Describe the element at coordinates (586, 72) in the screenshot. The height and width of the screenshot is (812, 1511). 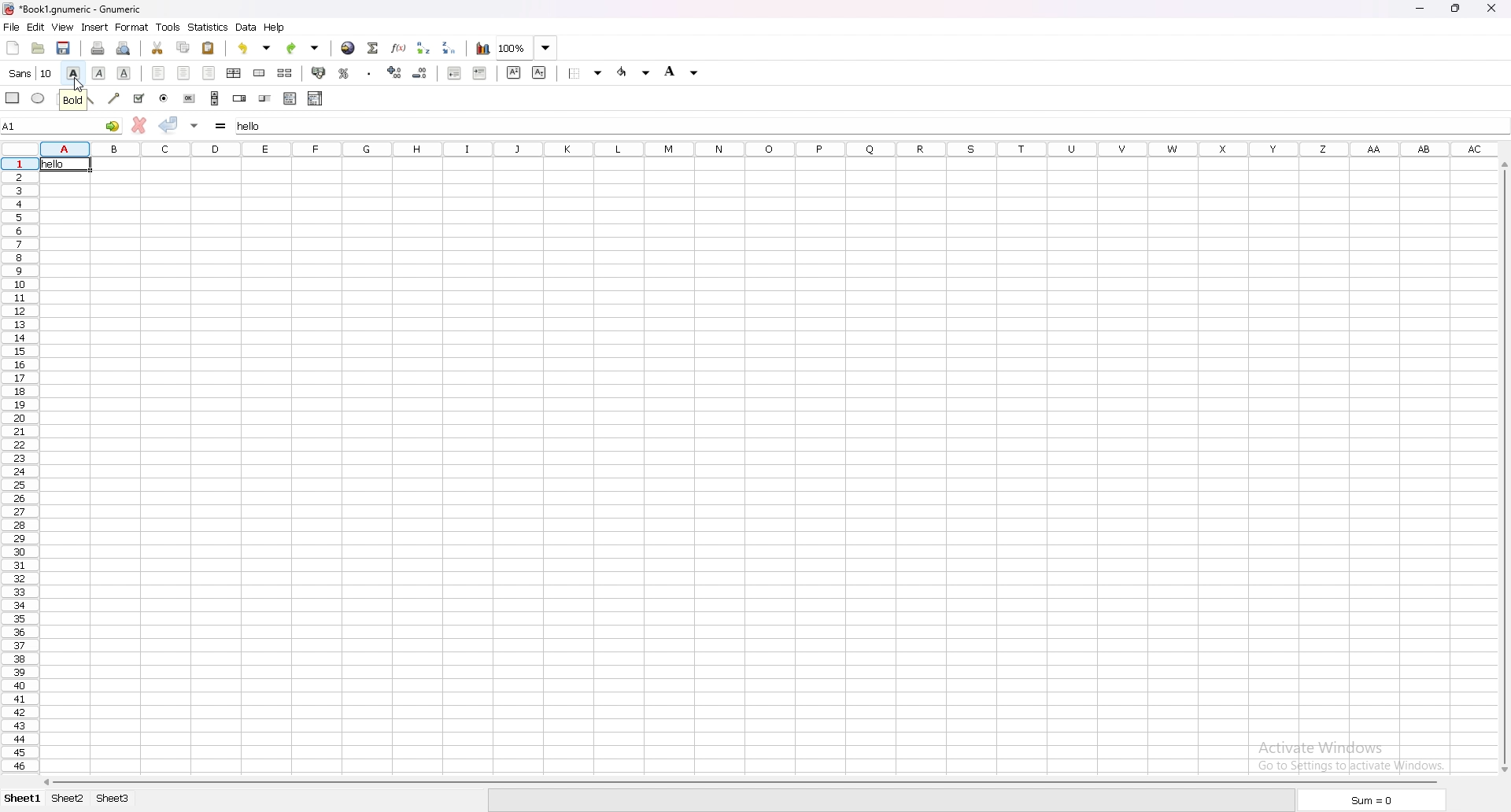
I see `border` at that location.